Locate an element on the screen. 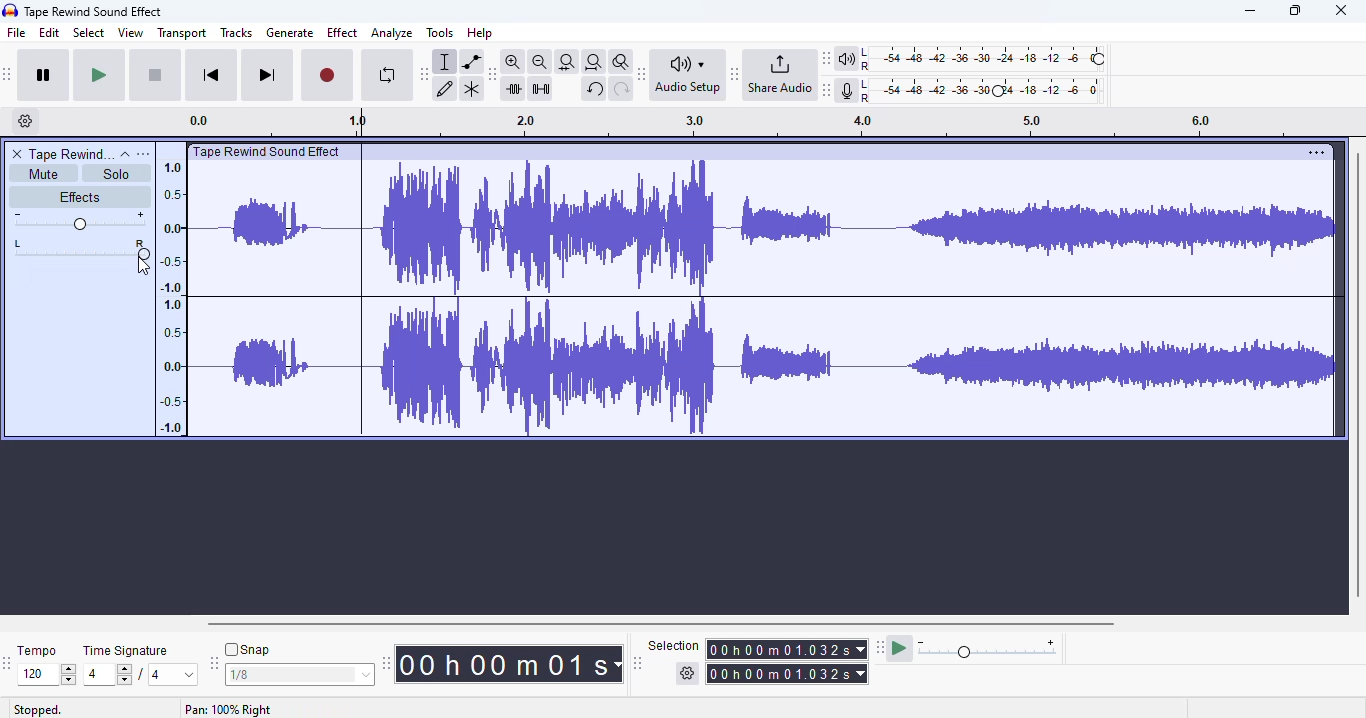 The image size is (1366, 718). logo is located at coordinates (10, 10).